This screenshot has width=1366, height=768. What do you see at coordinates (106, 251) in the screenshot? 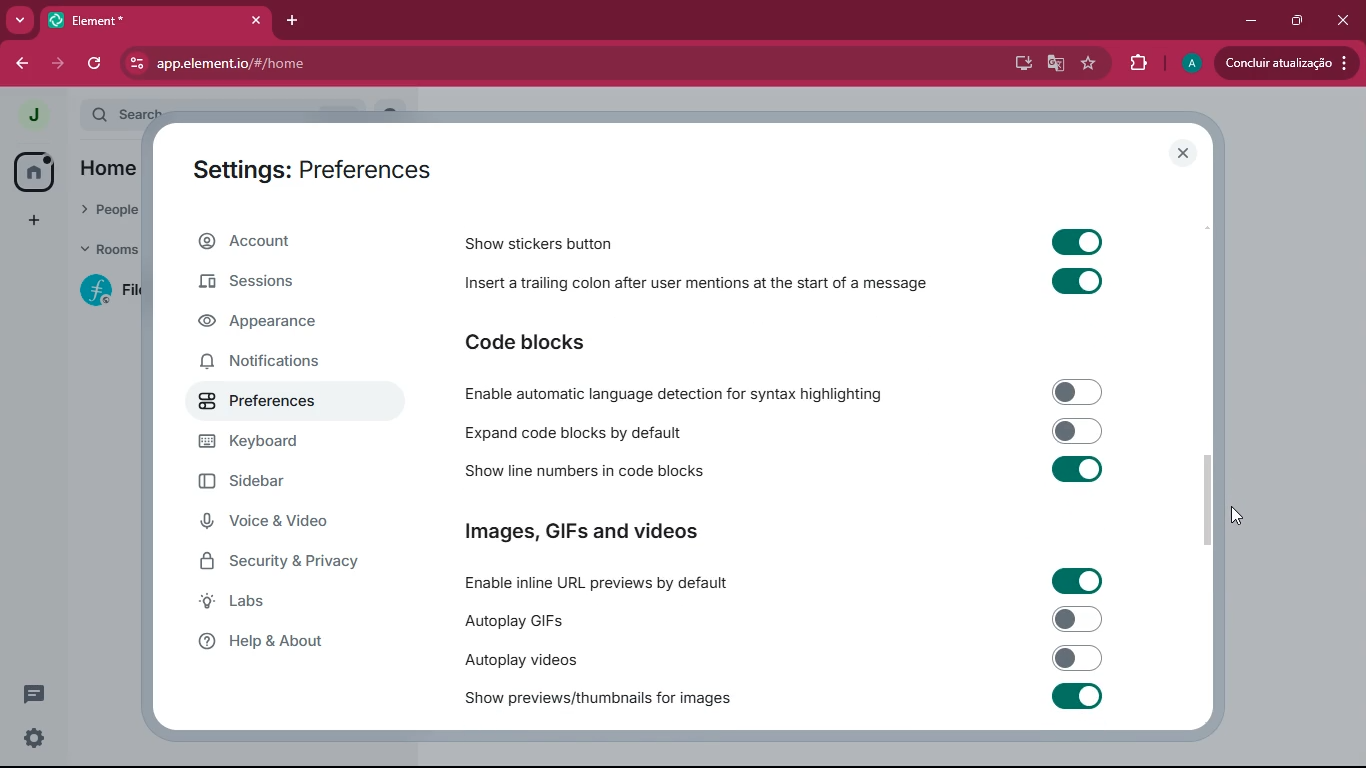
I see `rooms` at bounding box center [106, 251].